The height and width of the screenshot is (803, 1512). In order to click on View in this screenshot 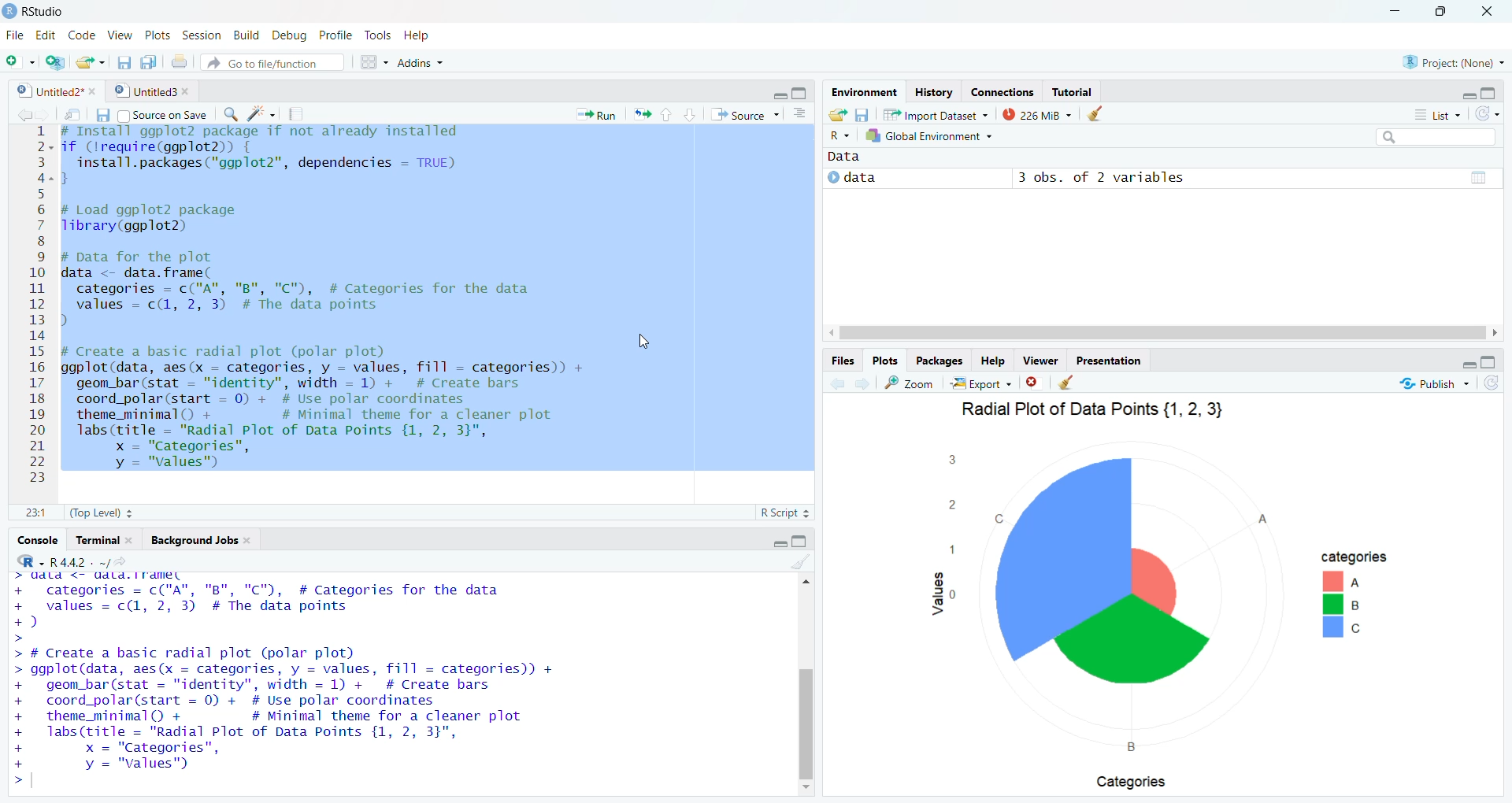, I will do `click(117, 36)`.